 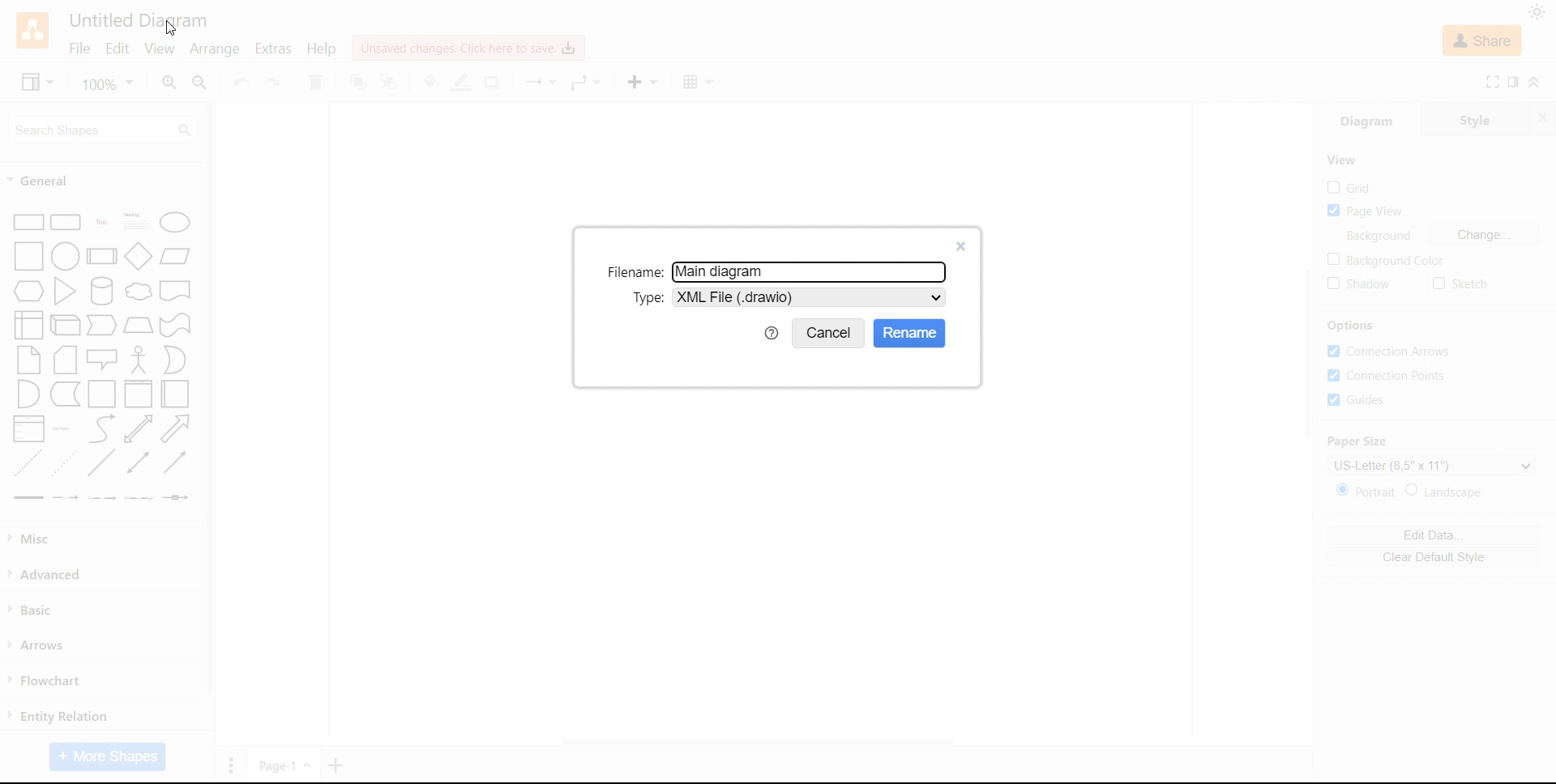 I want to click on Line colour , so click(x=463, y=83).